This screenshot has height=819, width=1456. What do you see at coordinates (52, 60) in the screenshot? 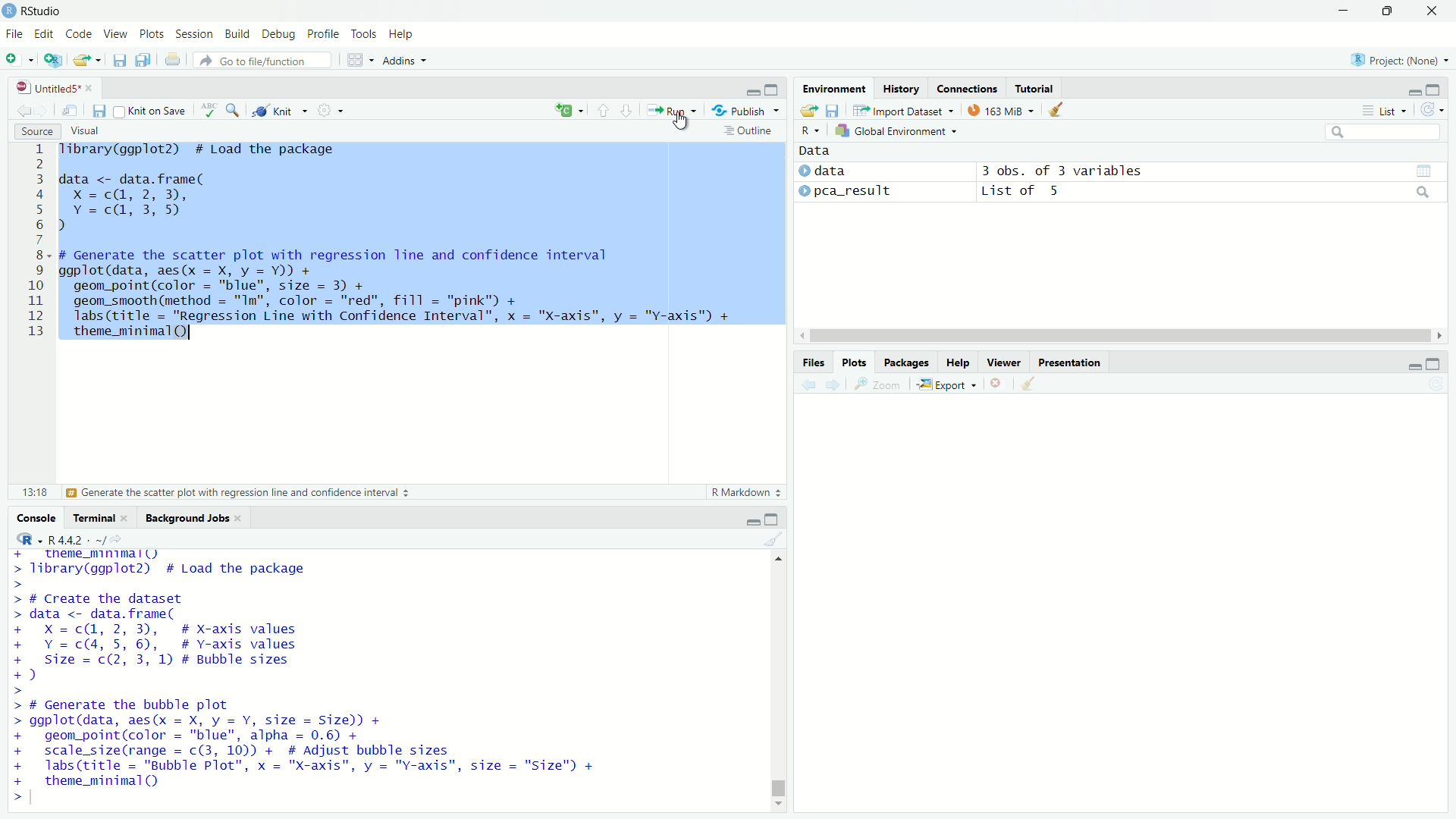
I see `Create a project` at bounding box center [52, 60].